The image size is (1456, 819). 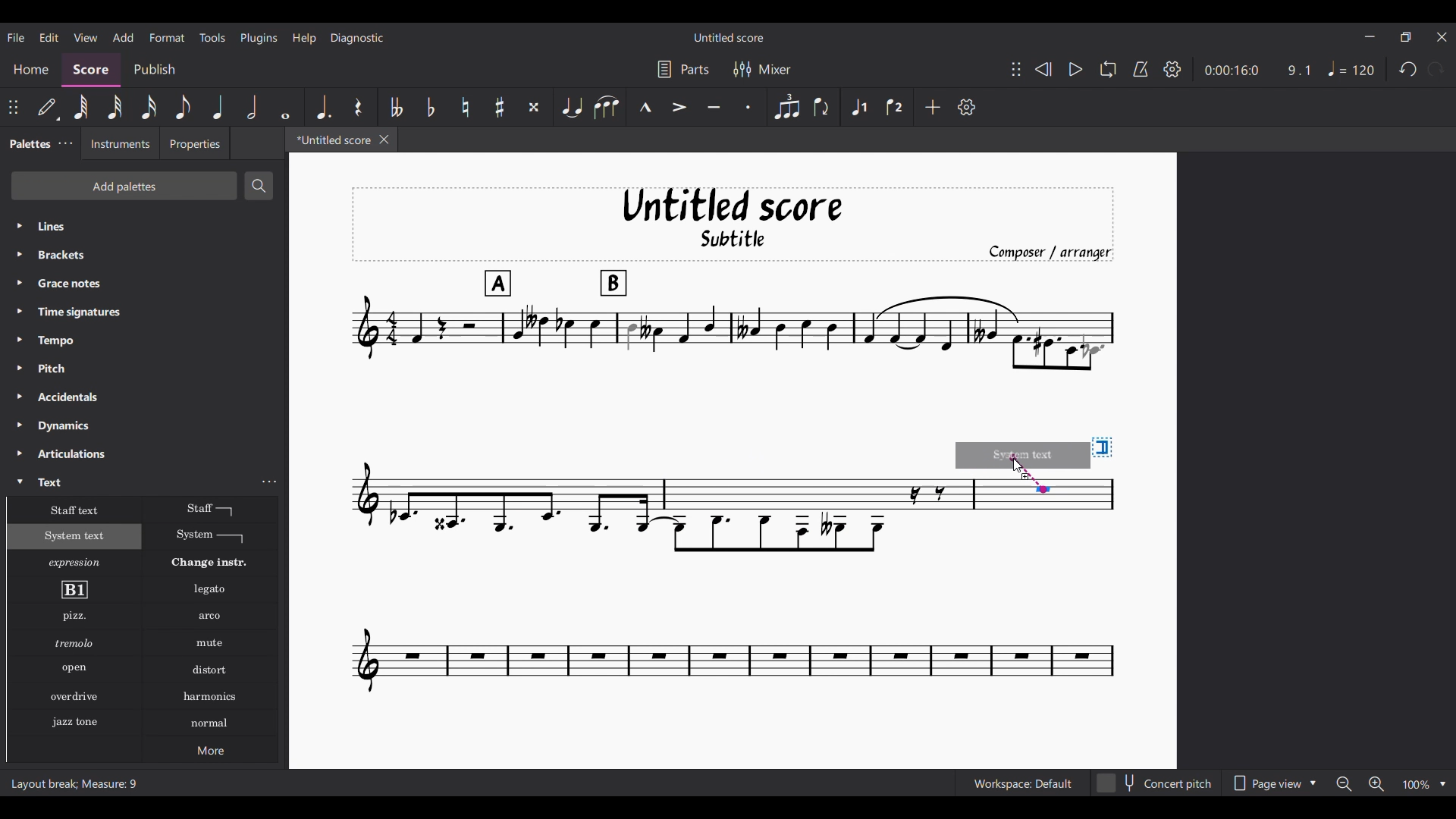 I want to click on Current score, so click(x=651, y=441).